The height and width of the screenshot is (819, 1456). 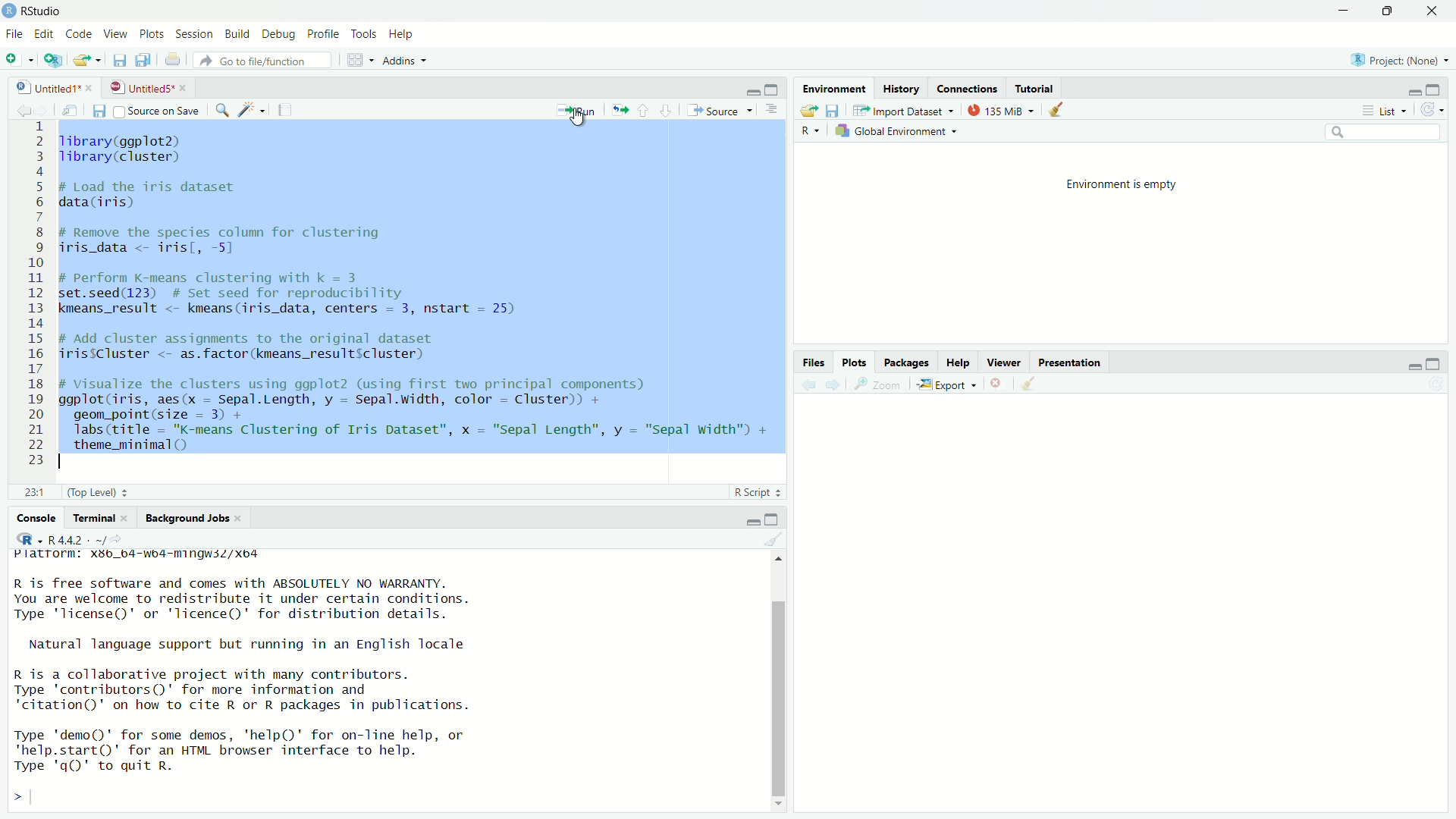 I want to click on RStudio, so click(x=42, y=9).